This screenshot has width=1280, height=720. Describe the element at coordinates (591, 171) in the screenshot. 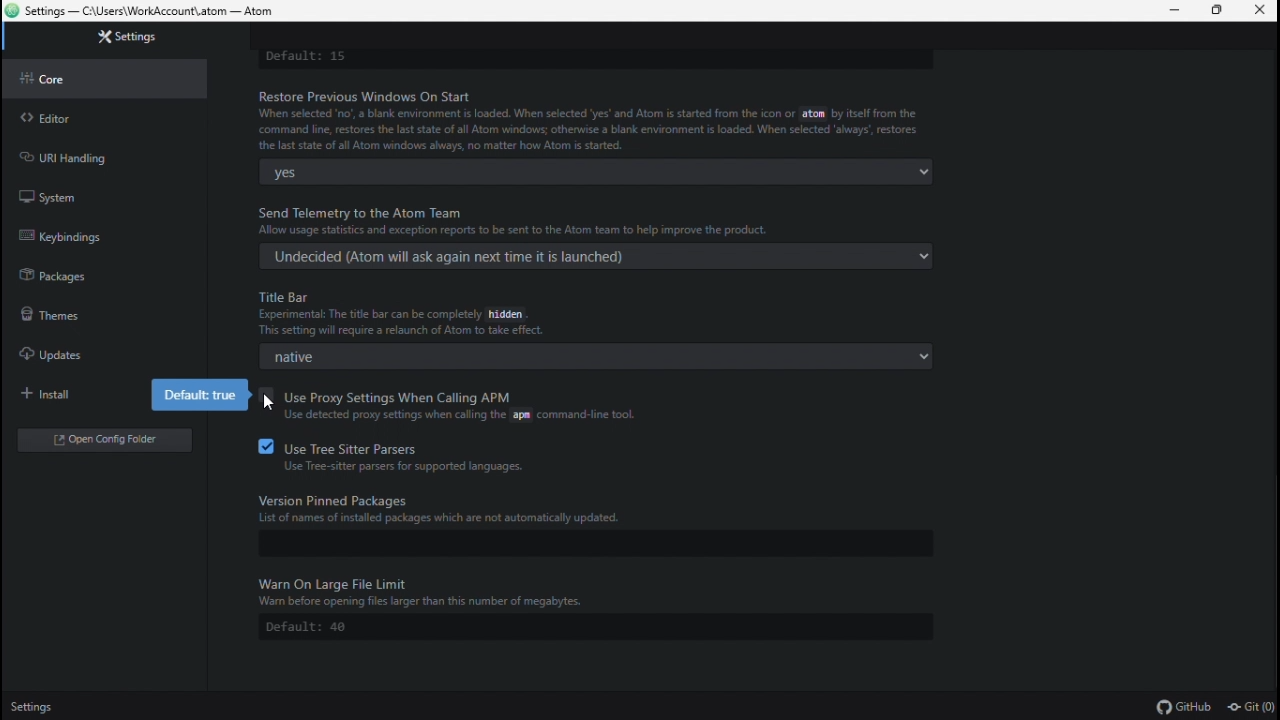

I see `yes` at that location.